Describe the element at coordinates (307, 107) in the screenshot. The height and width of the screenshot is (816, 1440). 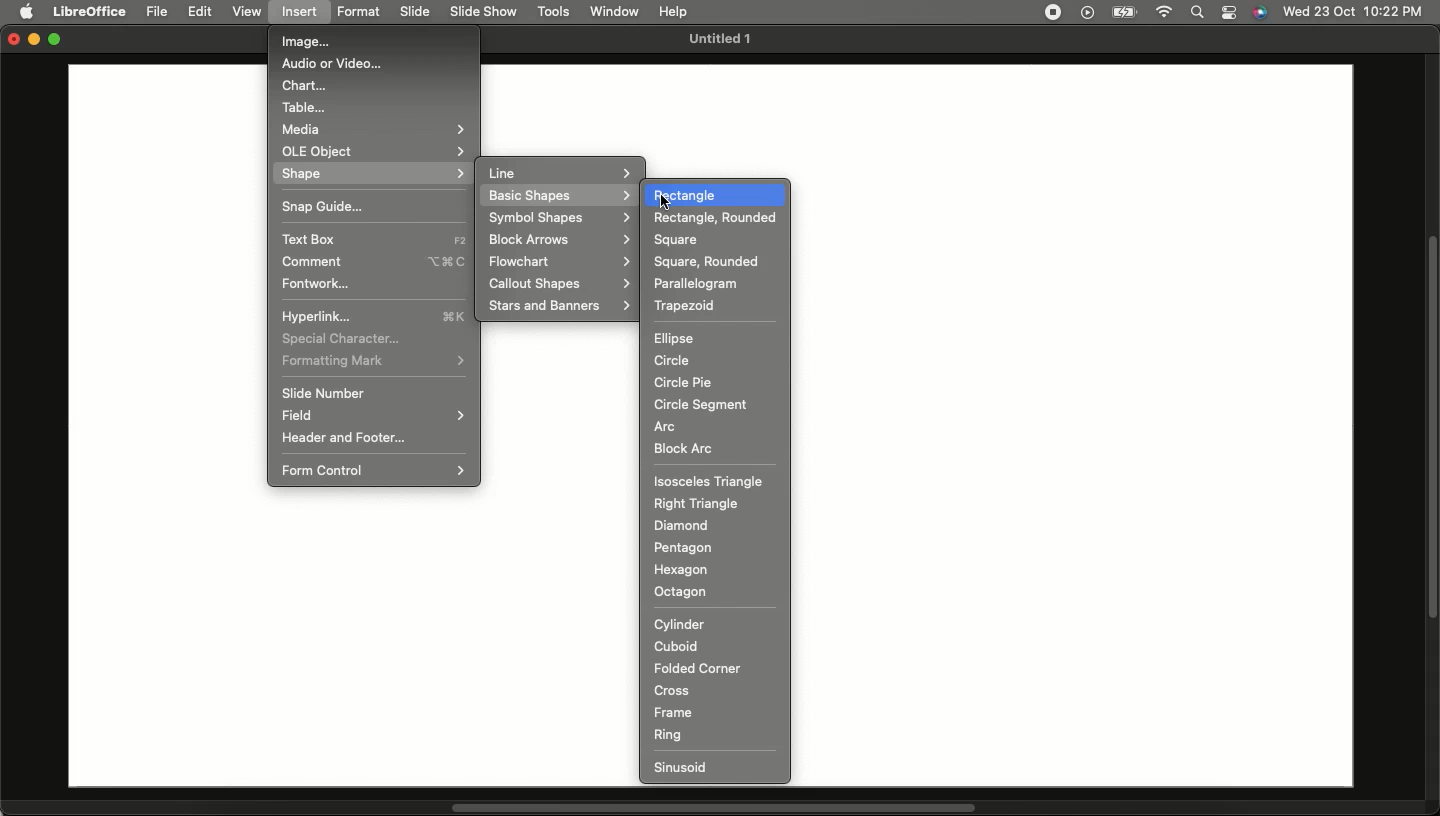
I see `Table` at that location.